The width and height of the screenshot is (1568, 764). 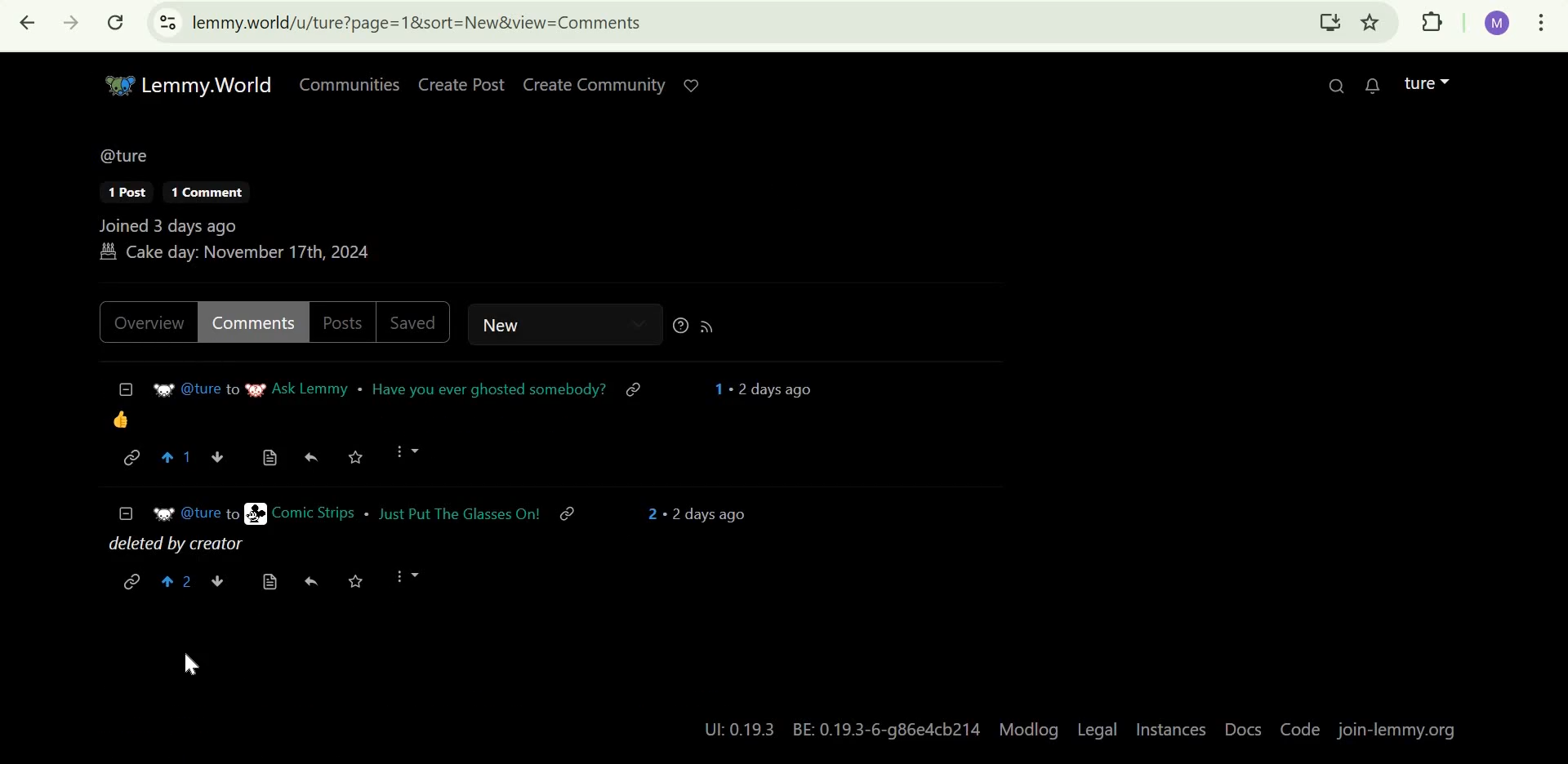 What do you see at coordinates (591, 85) in the screenshot?
I see `create community` at bounding box center [591, 85].